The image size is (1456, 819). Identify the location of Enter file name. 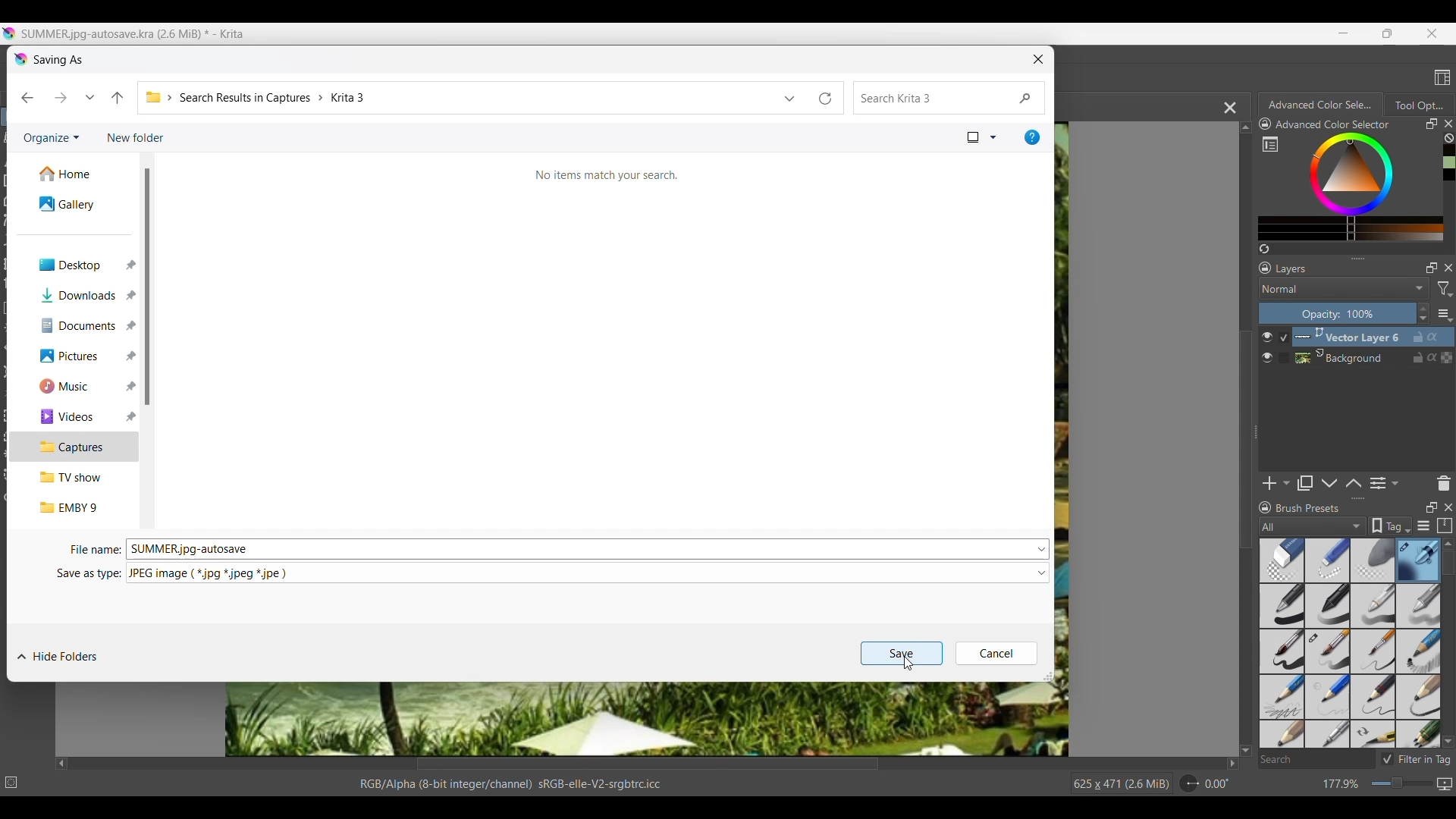
(579, 549).